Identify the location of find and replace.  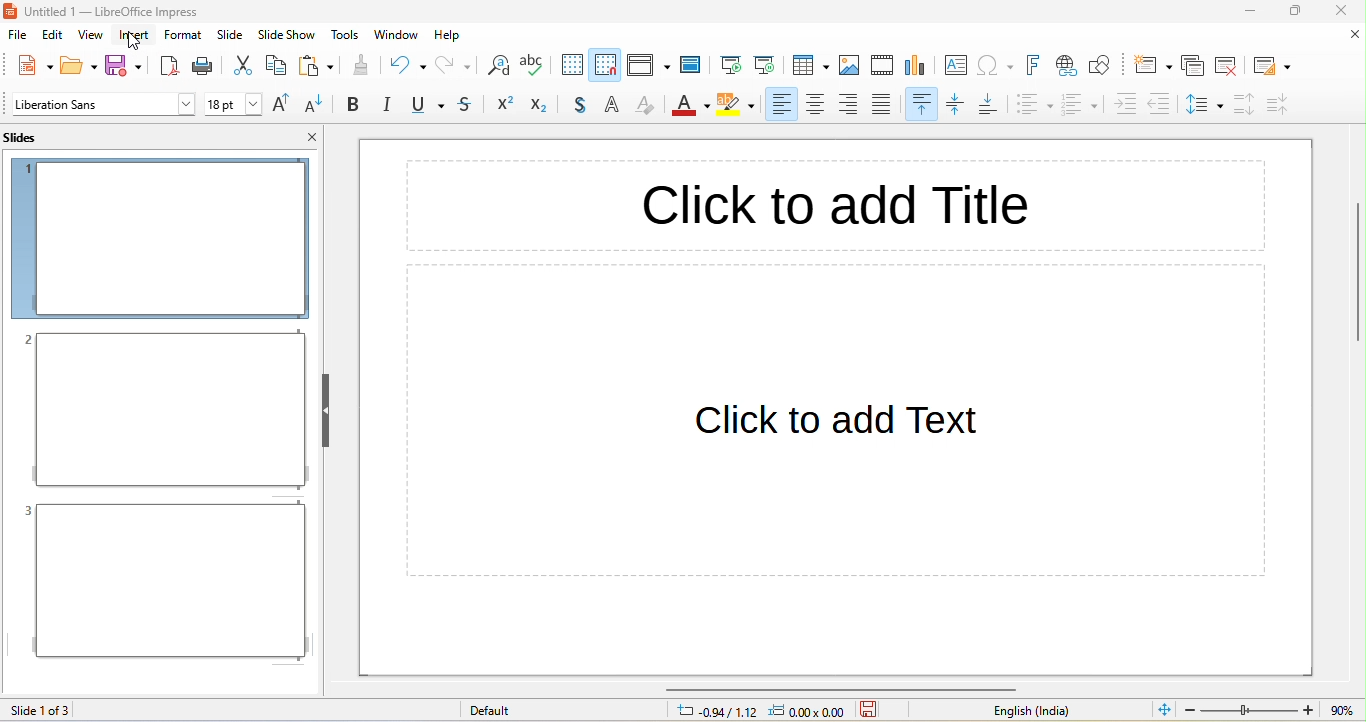
(496, 67).